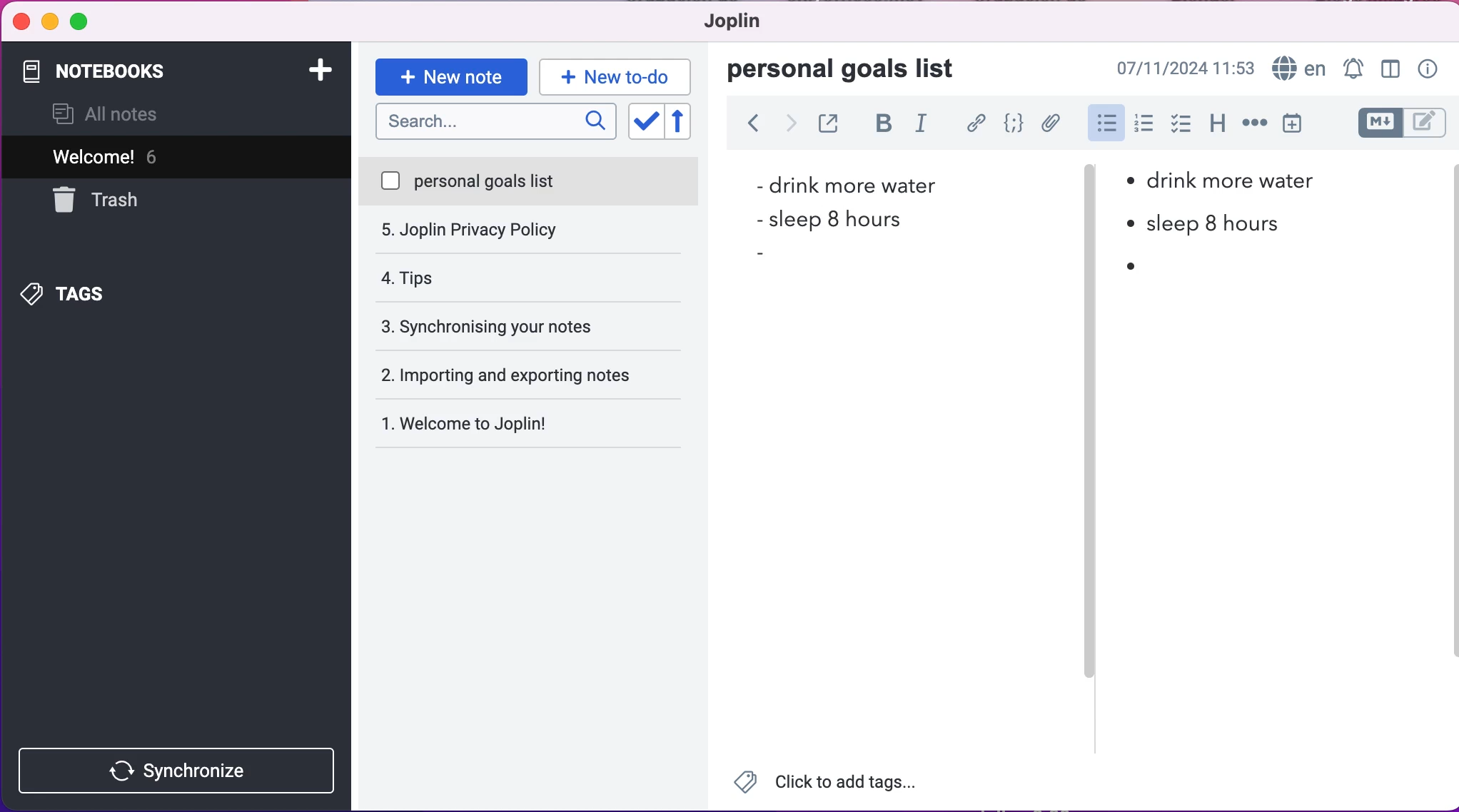  I want to click on search, so click(494, 123).